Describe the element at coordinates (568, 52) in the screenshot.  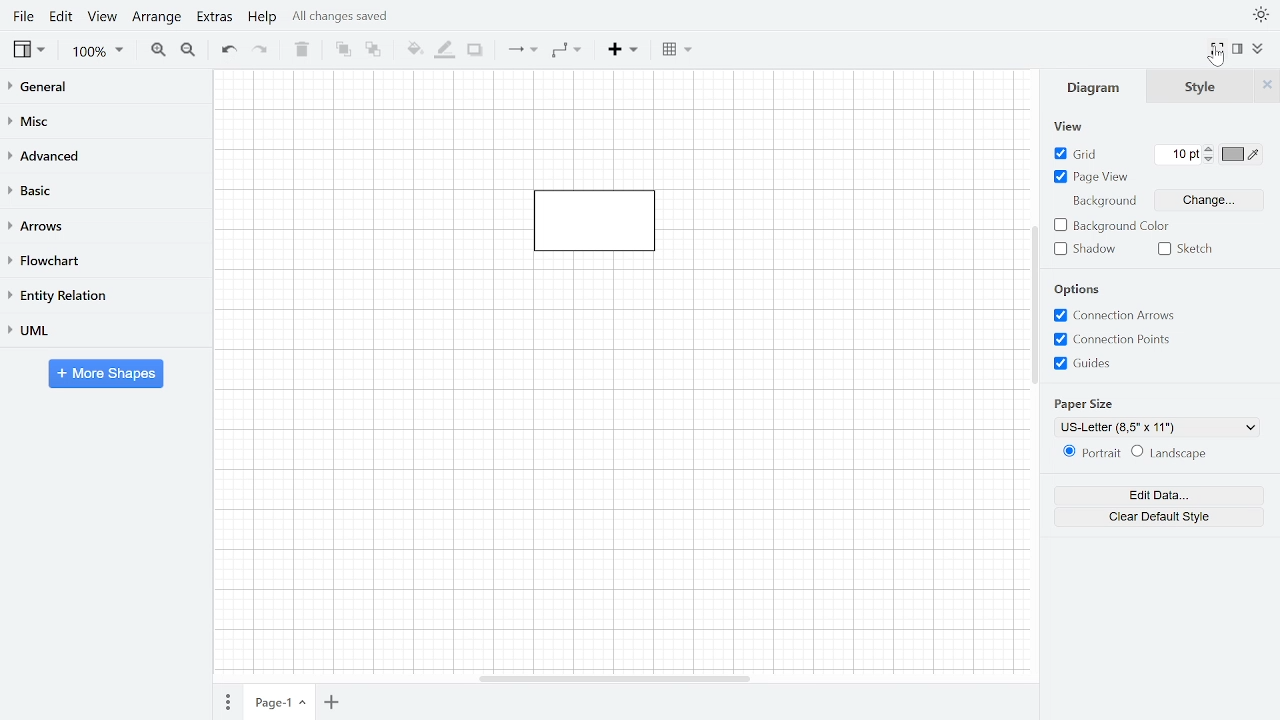
I see `Waypoints` at that location.